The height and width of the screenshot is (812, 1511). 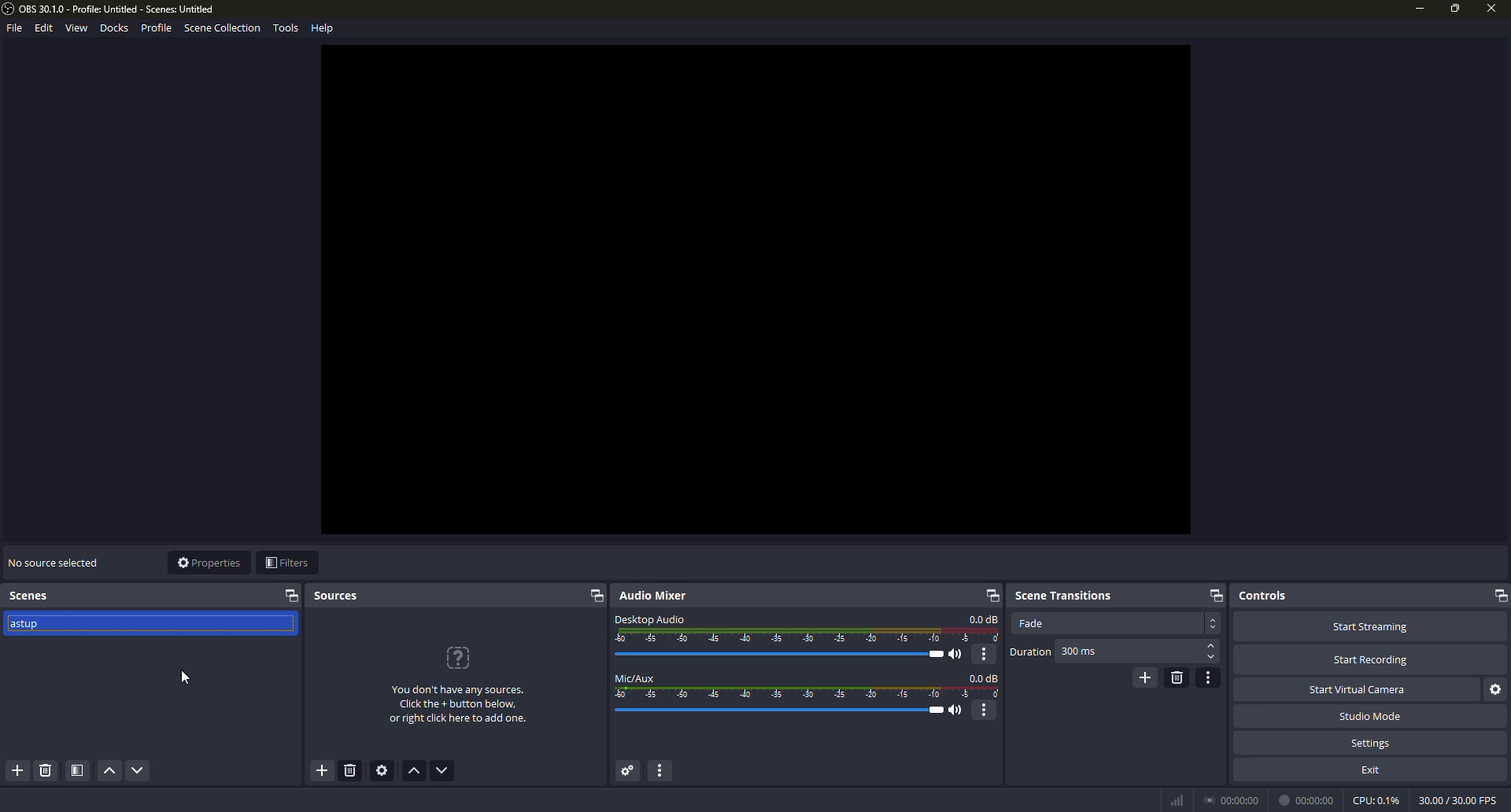 What do you see at coordinates (109, 772) in the screenshot?
I see `move scene up` at bounding box center [109, 772].